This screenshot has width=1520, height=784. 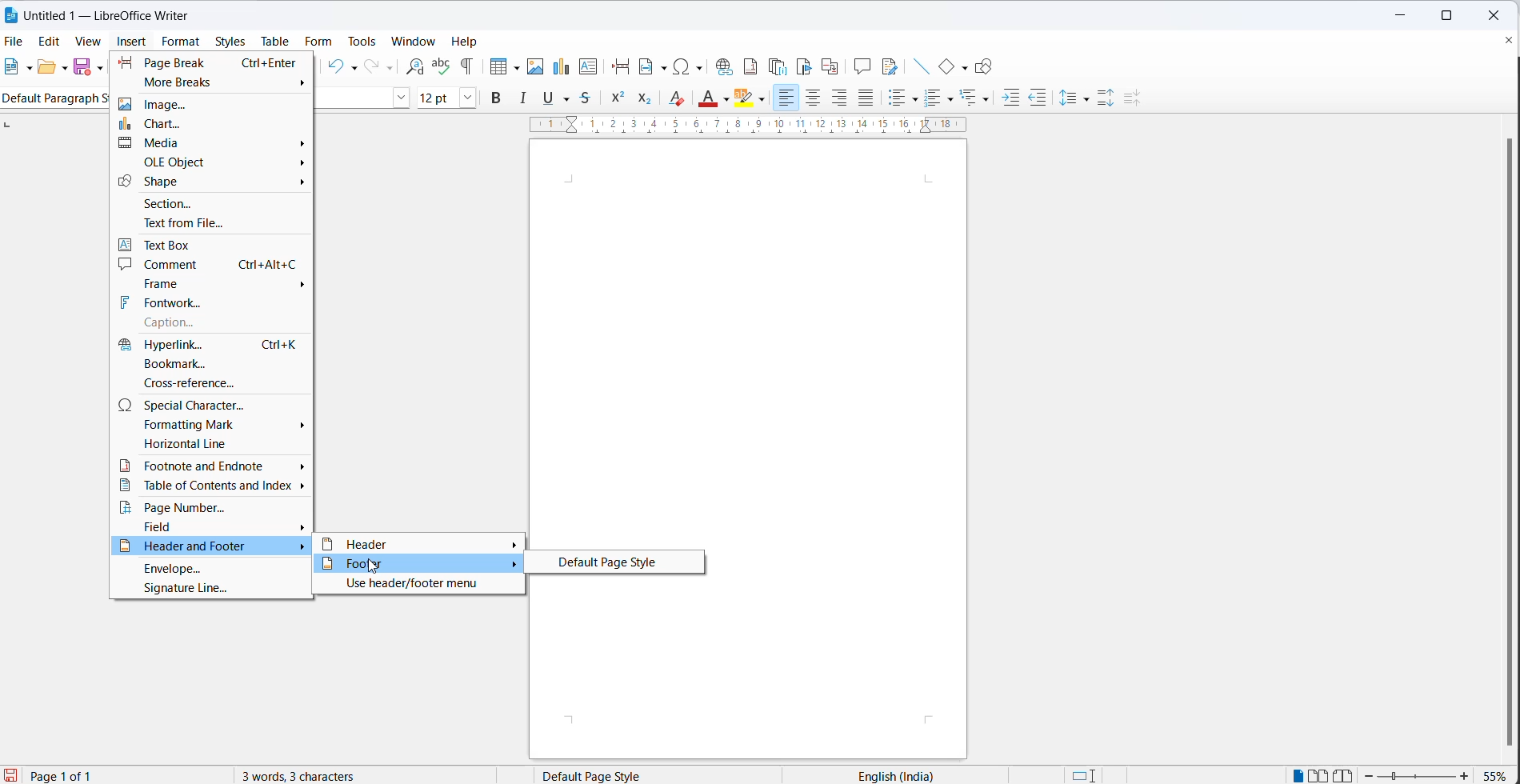 What do you see at coordinates (1068, 94) in the screenshot?
I see `line spacing` at bounding box center [1068, 94].